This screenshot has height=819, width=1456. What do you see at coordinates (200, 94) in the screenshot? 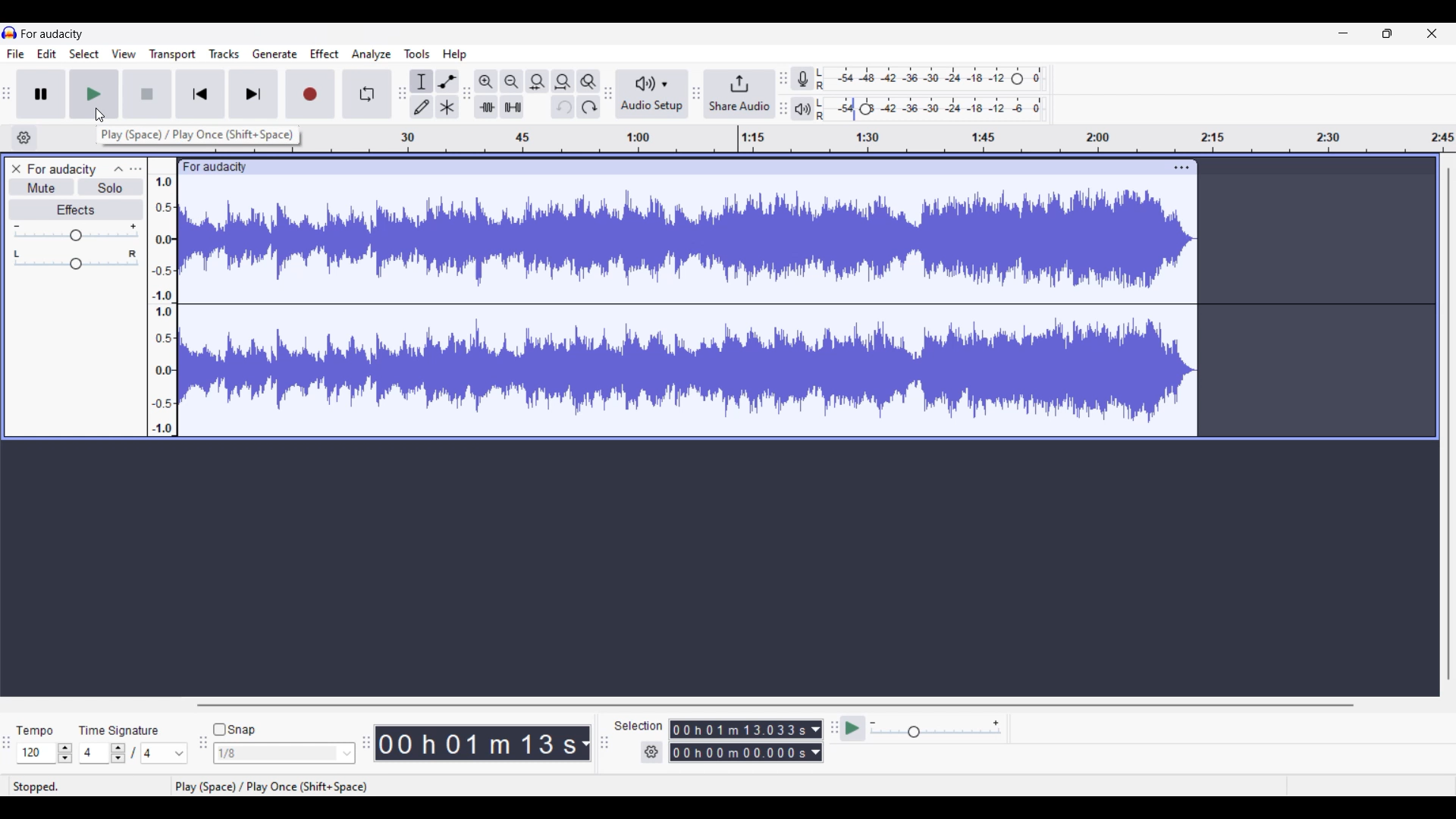
I see `Skip/Select to start` at bounding box center [200, 94].